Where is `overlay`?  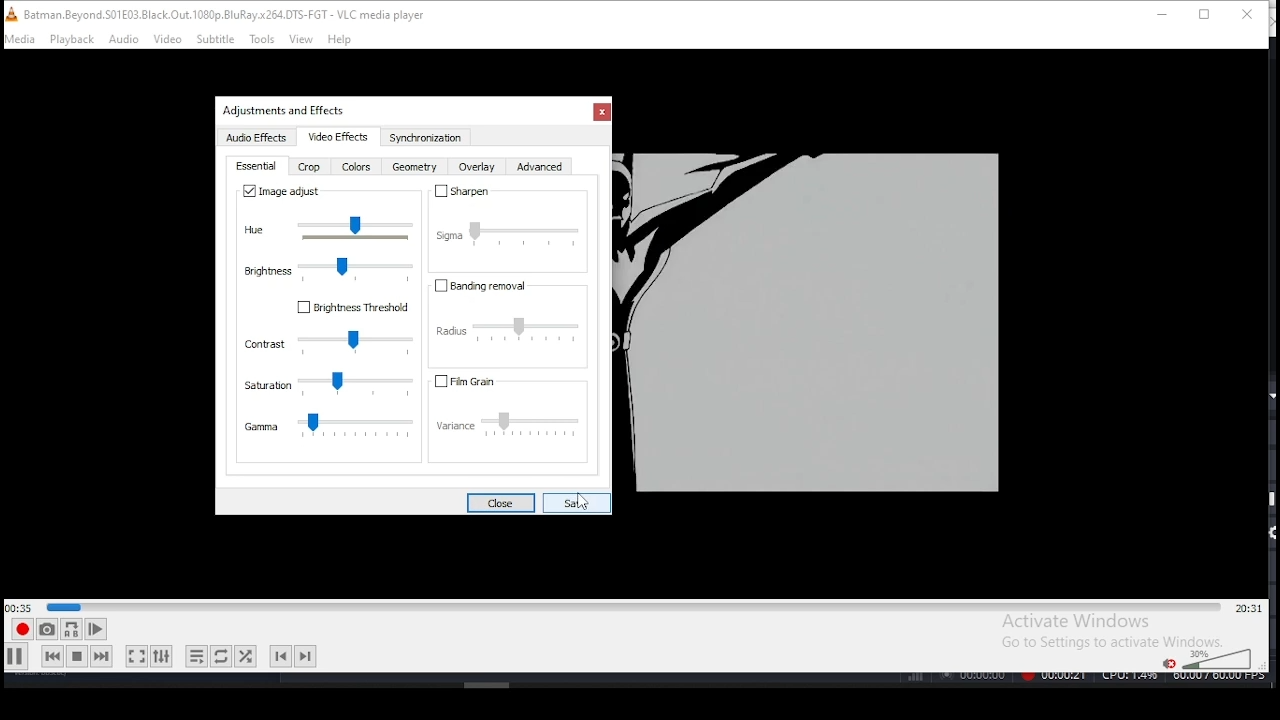
overlay is located at coordinates (476, 169).